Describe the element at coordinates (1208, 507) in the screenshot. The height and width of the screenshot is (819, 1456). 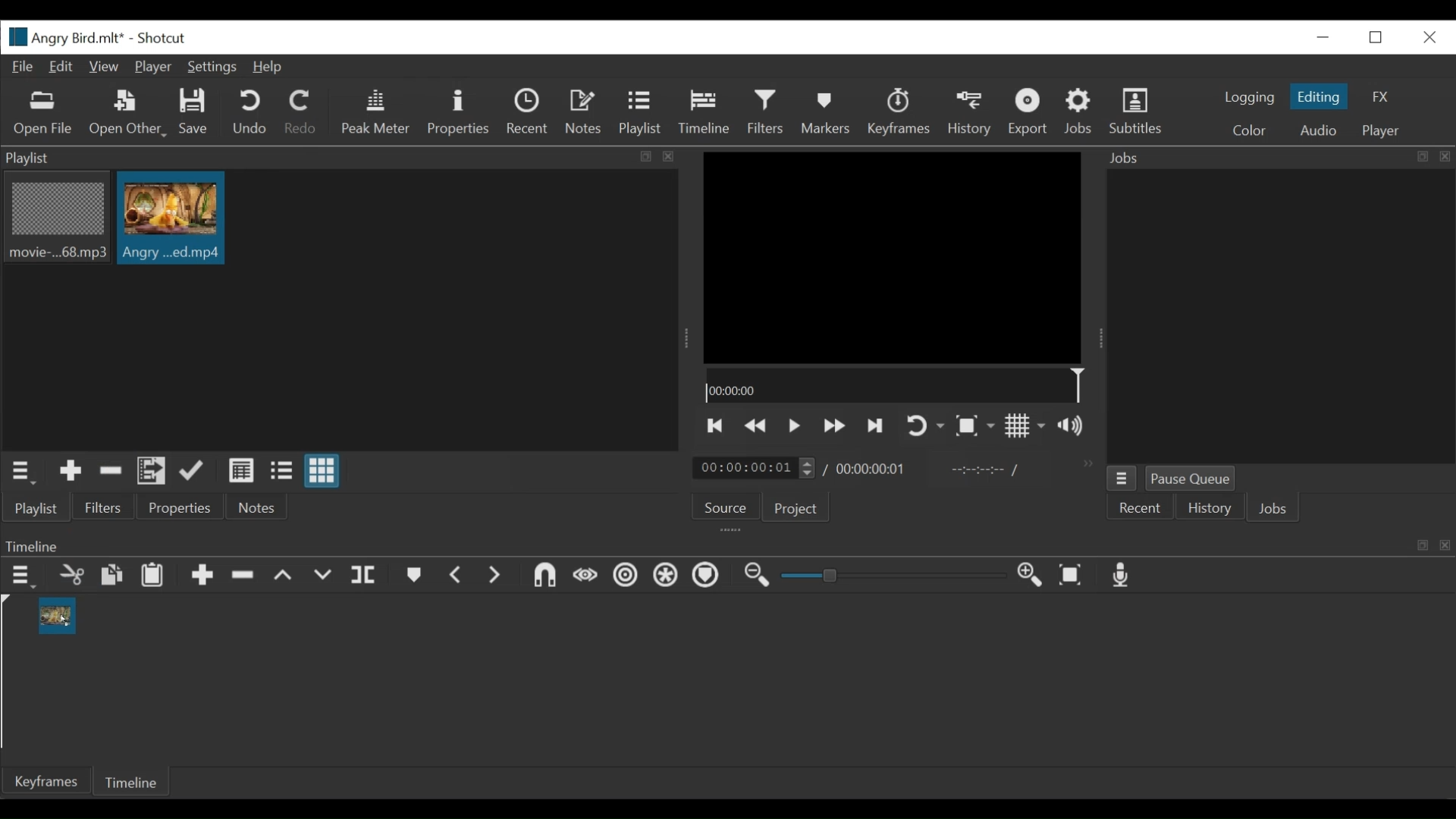
I see `History` at that location.